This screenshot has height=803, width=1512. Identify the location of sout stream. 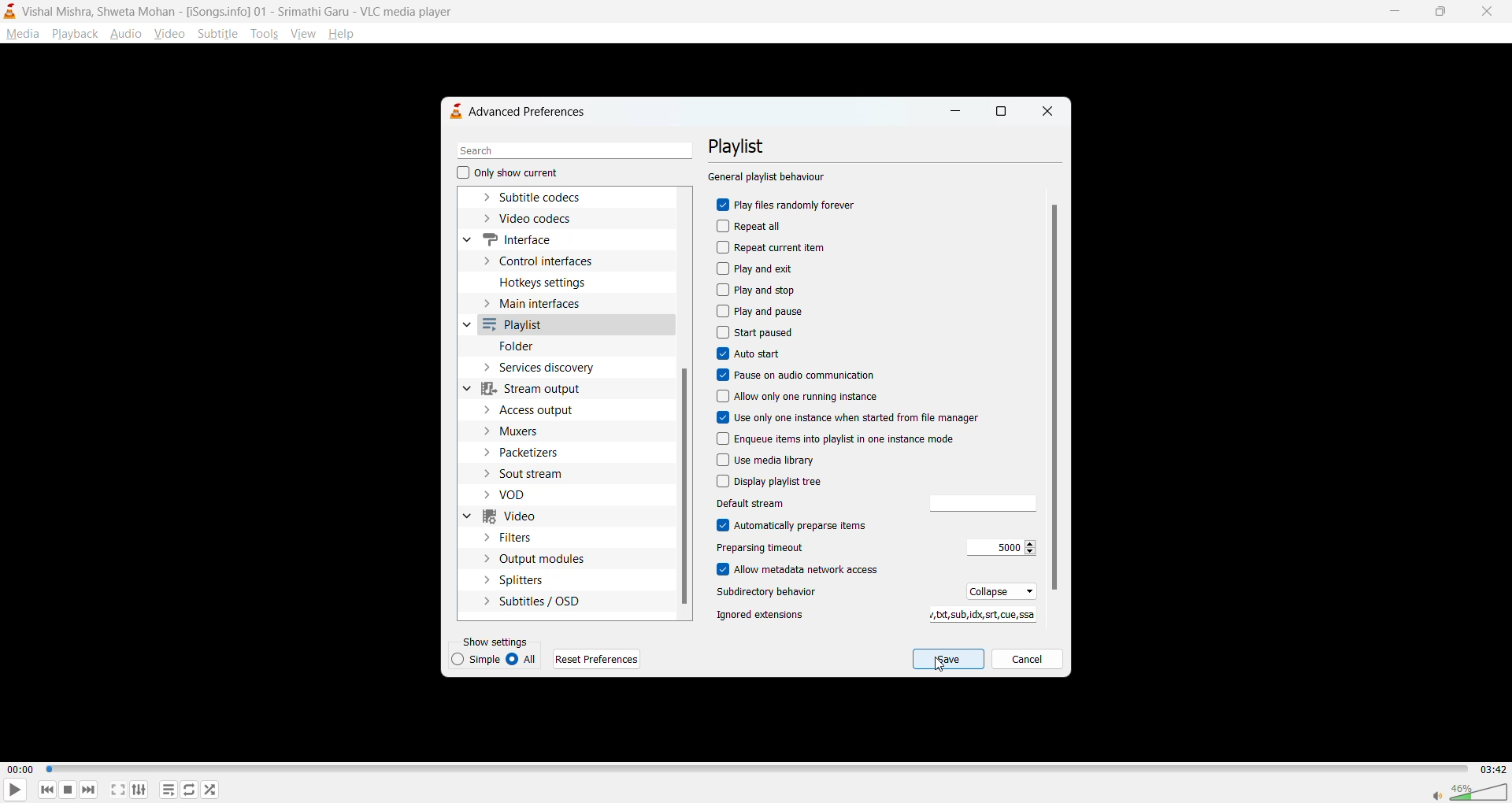
(536, 472).